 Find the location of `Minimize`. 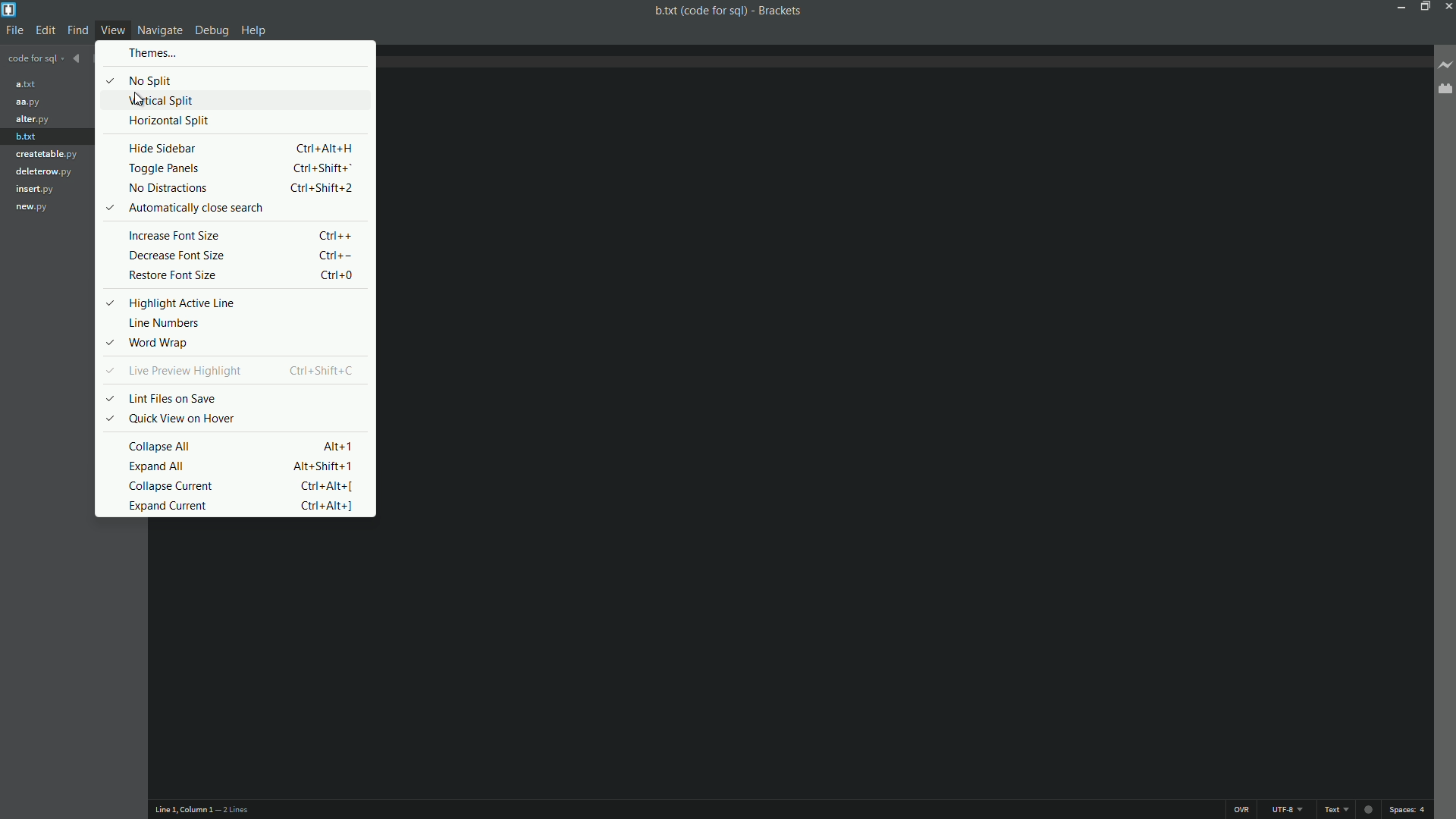

Minimize is located at coordinates (1398, 6).